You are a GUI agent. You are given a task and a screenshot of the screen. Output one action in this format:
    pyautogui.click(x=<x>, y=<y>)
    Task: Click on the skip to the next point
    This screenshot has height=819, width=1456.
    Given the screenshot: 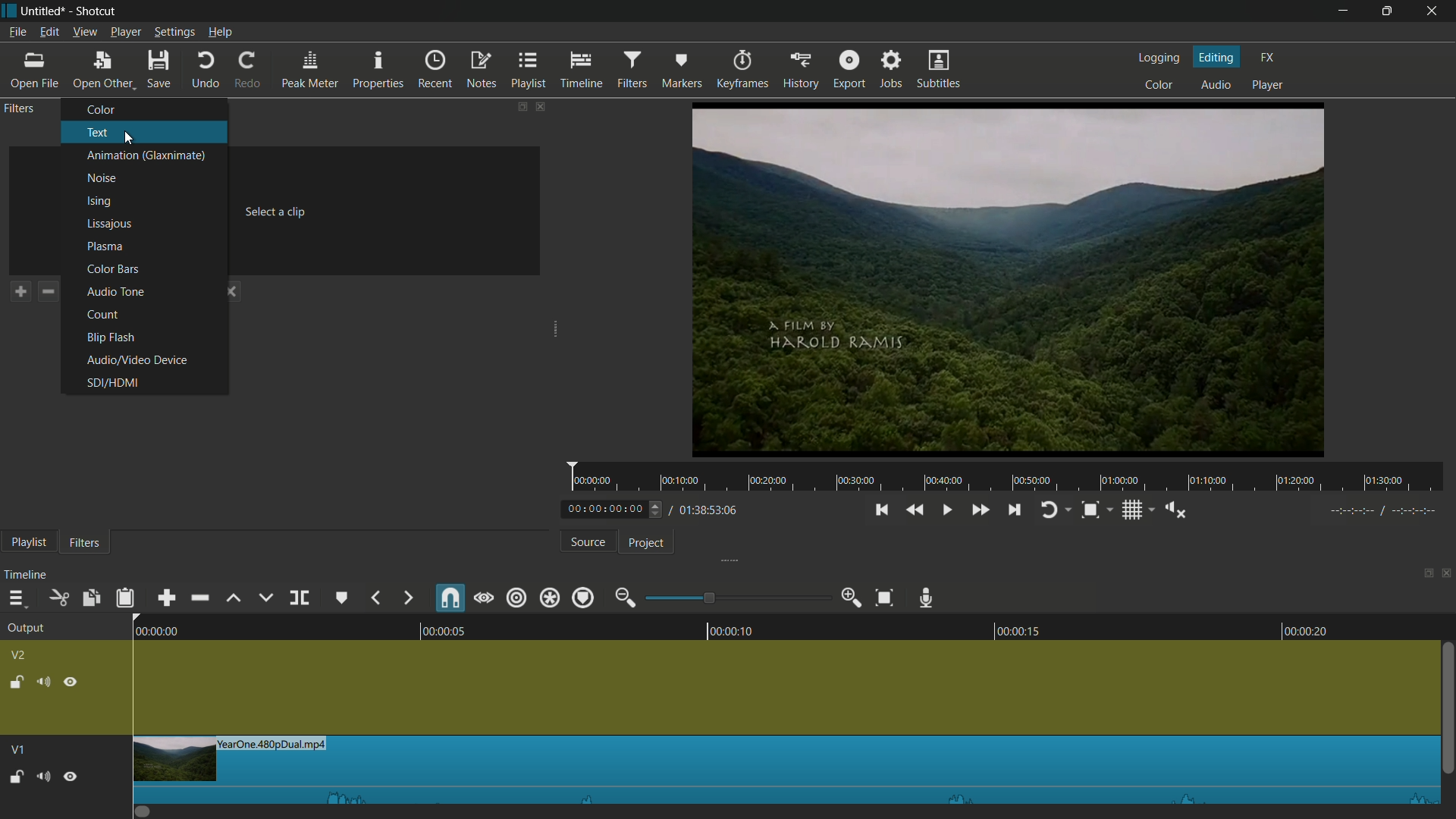 What is the action you would take?
    pyautogui.click(x=1015, y=510)
    